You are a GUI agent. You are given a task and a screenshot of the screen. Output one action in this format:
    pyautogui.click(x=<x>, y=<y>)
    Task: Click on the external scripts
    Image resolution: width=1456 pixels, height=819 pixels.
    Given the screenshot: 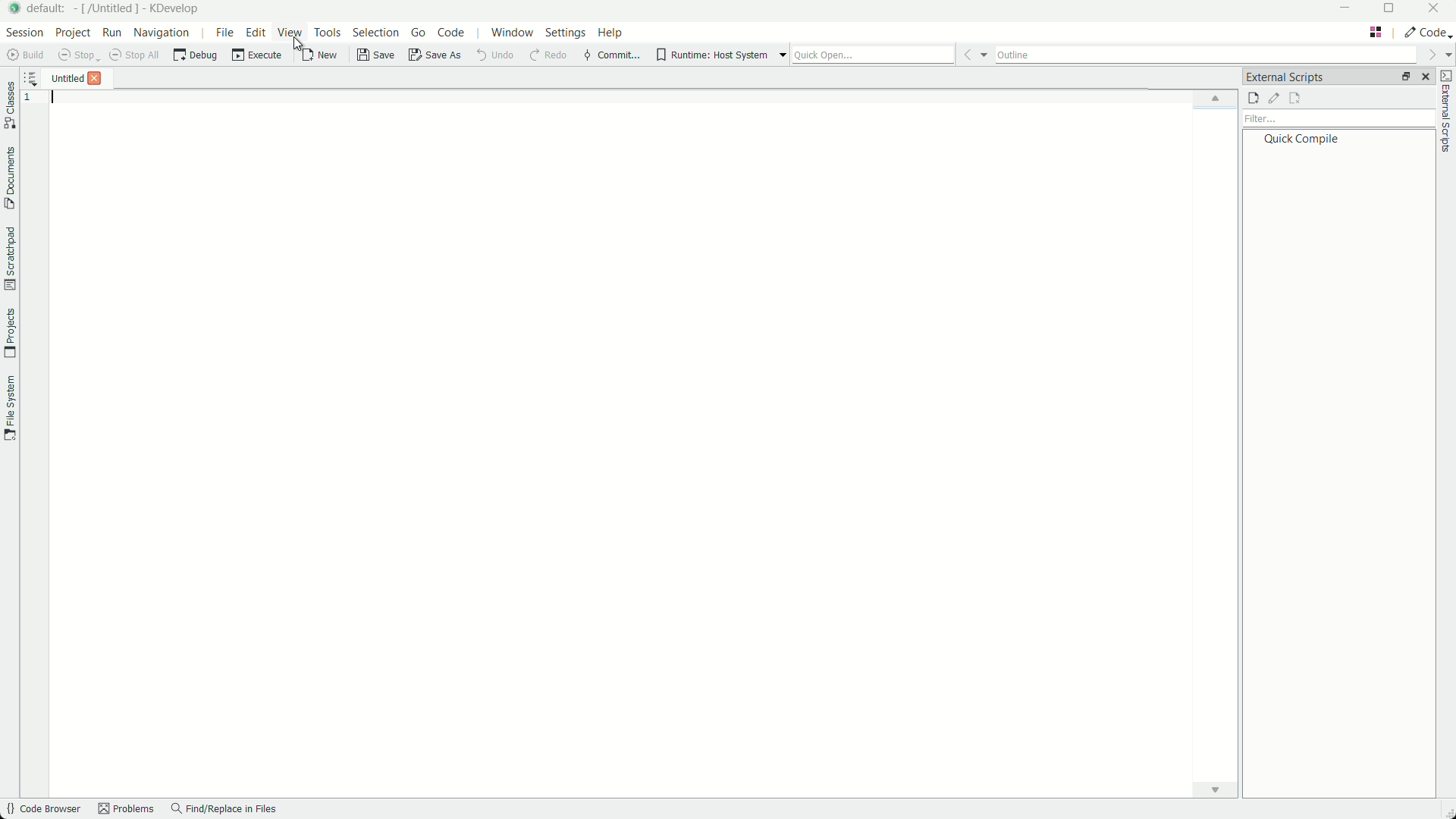 What is the action you would take?
    pyautogui.click(x=1285, y=76)
    